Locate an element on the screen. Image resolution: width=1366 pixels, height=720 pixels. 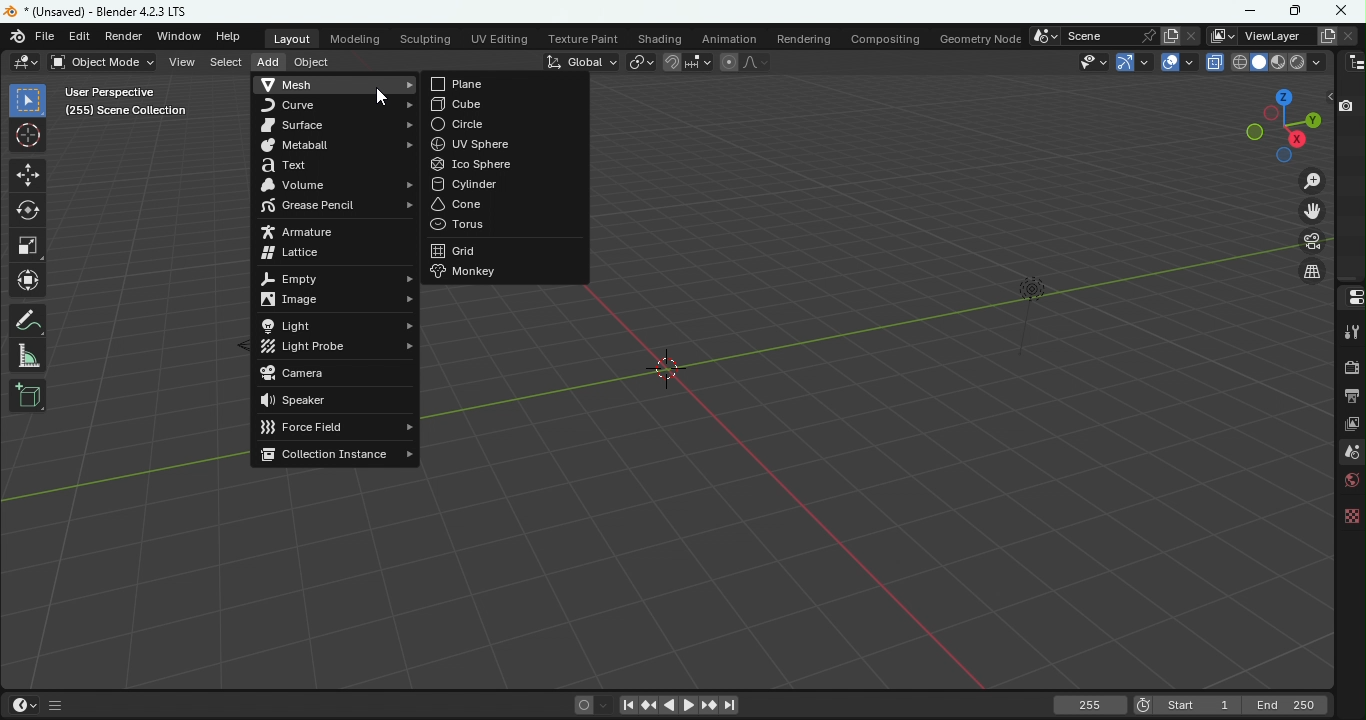
Use preview range is located at coordinates (1143, 703).